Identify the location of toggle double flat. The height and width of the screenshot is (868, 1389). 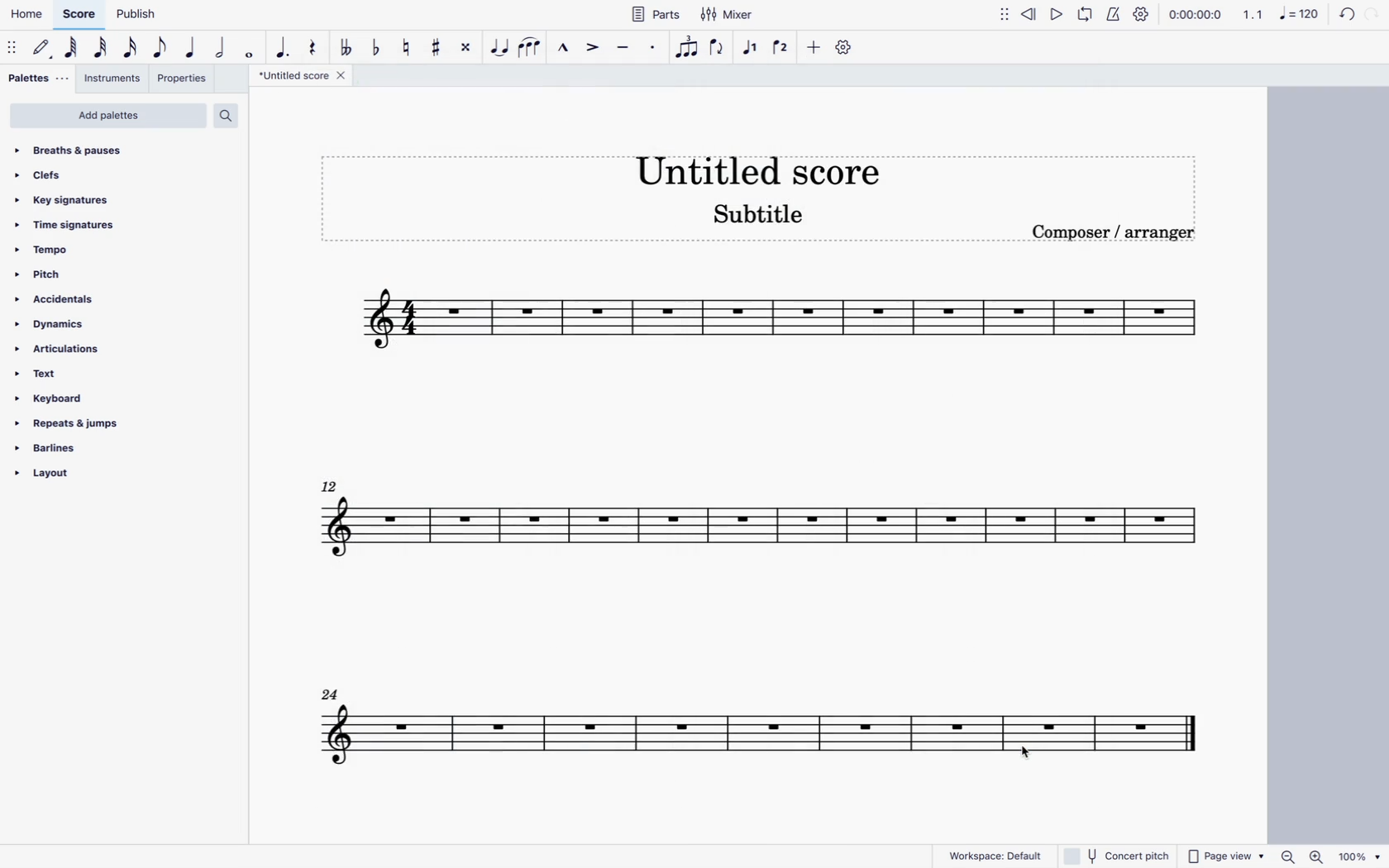
(347, 50).